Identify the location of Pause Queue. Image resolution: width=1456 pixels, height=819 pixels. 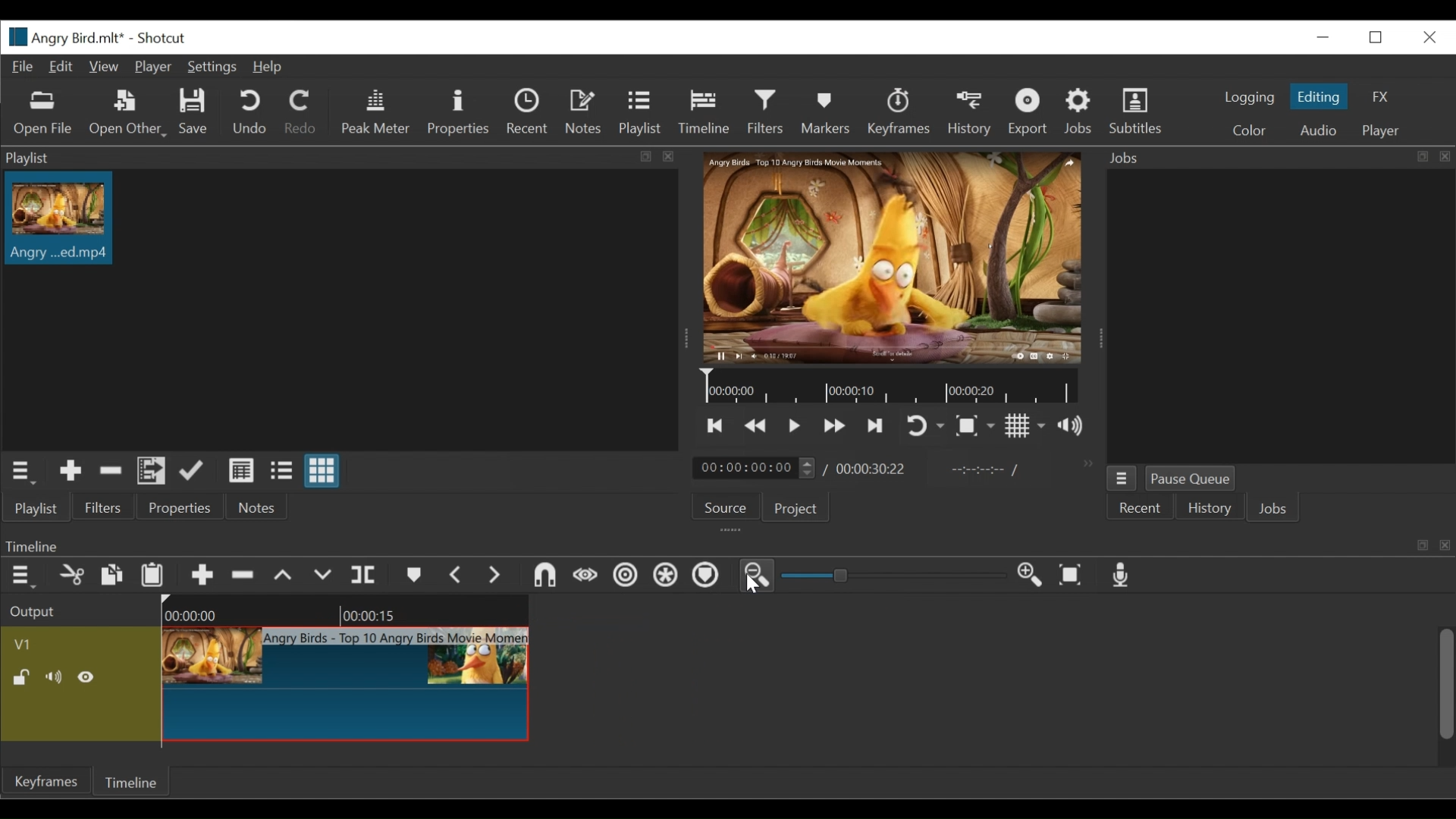
(1191, 479).